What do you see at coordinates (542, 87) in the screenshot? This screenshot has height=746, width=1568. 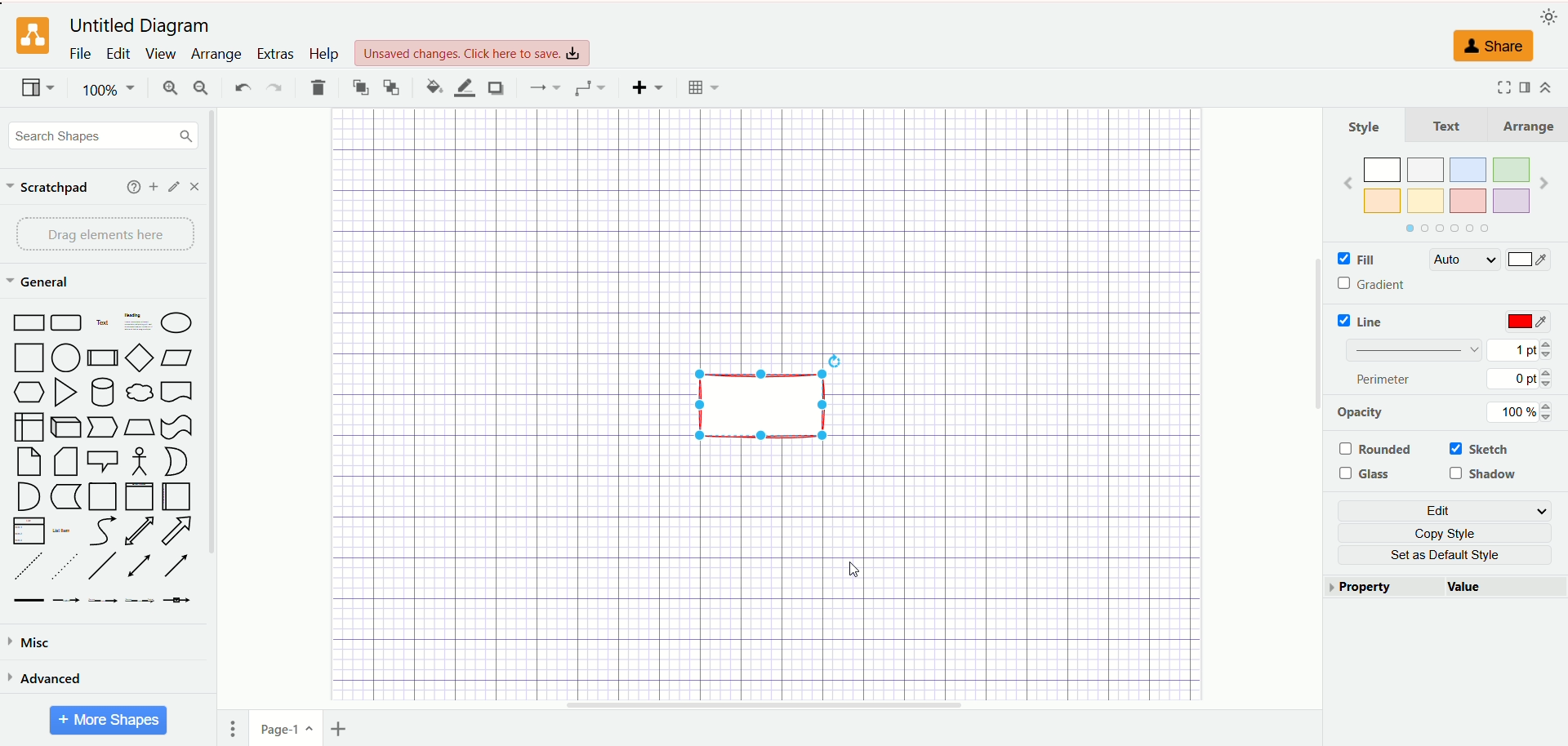 I see `connection` at bounding box center [542, 87].